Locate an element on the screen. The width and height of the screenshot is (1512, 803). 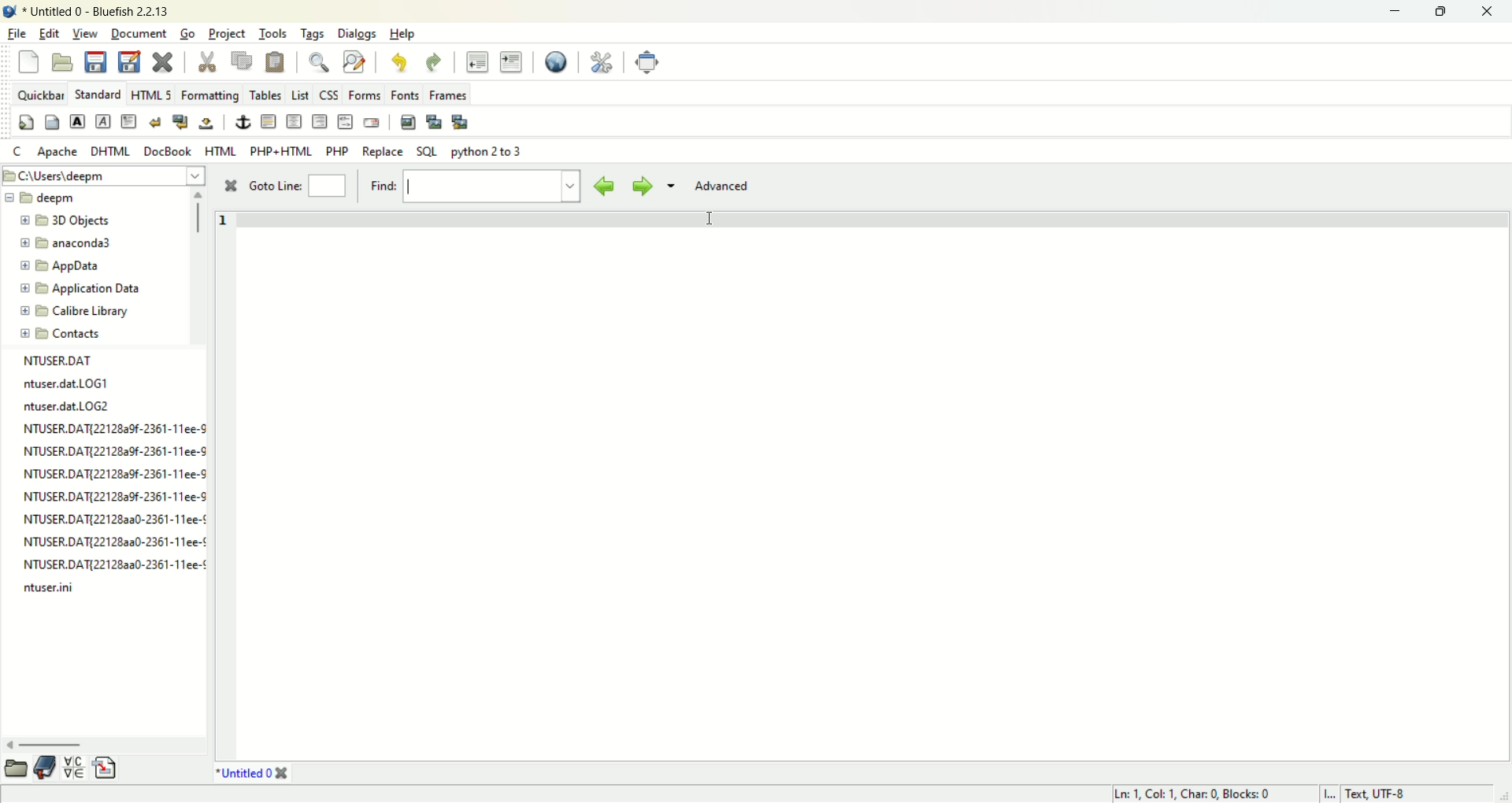
more options is located at coordinates (670, 188).